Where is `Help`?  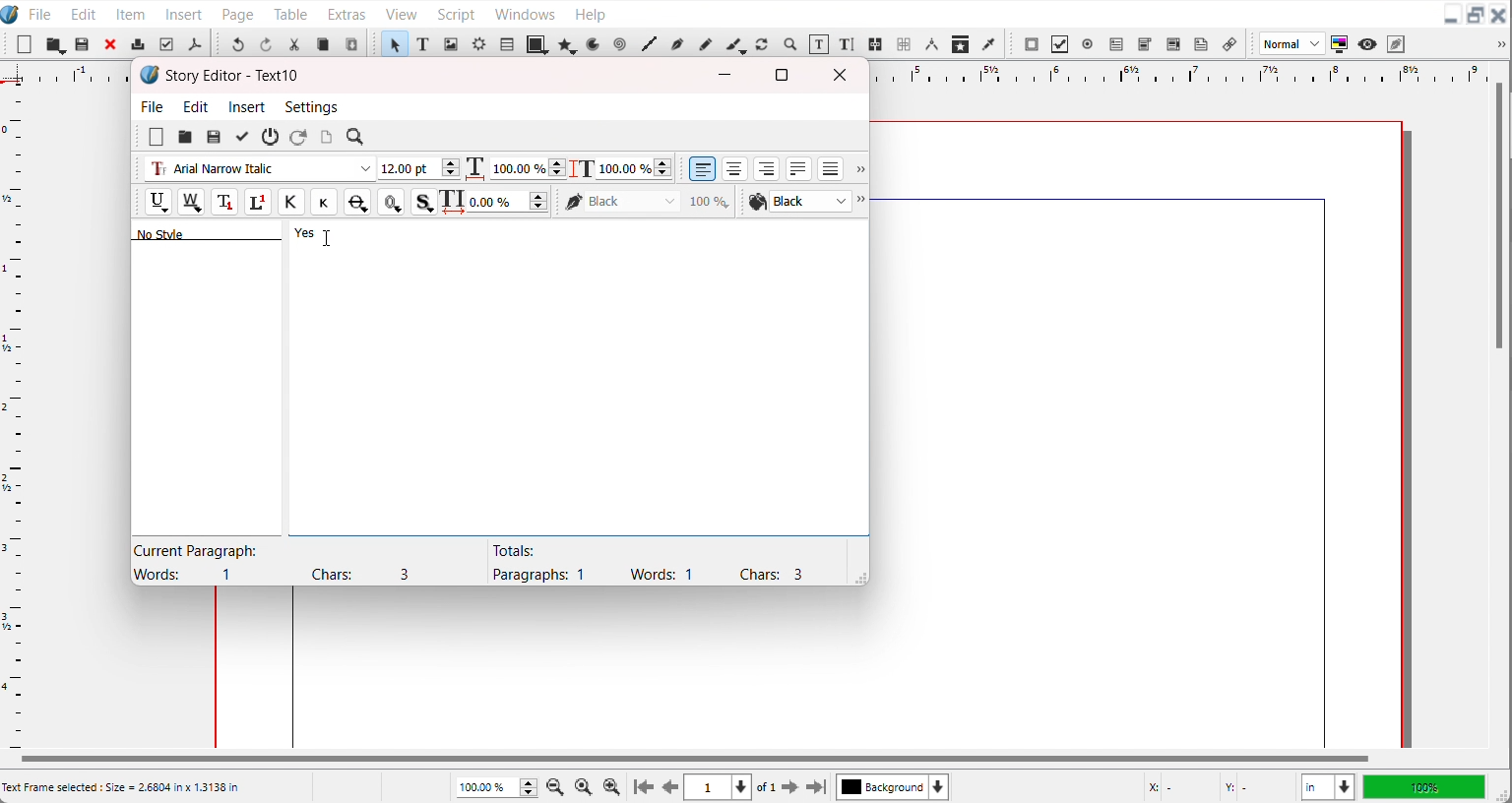
Help is located at coordinates (590, 13).